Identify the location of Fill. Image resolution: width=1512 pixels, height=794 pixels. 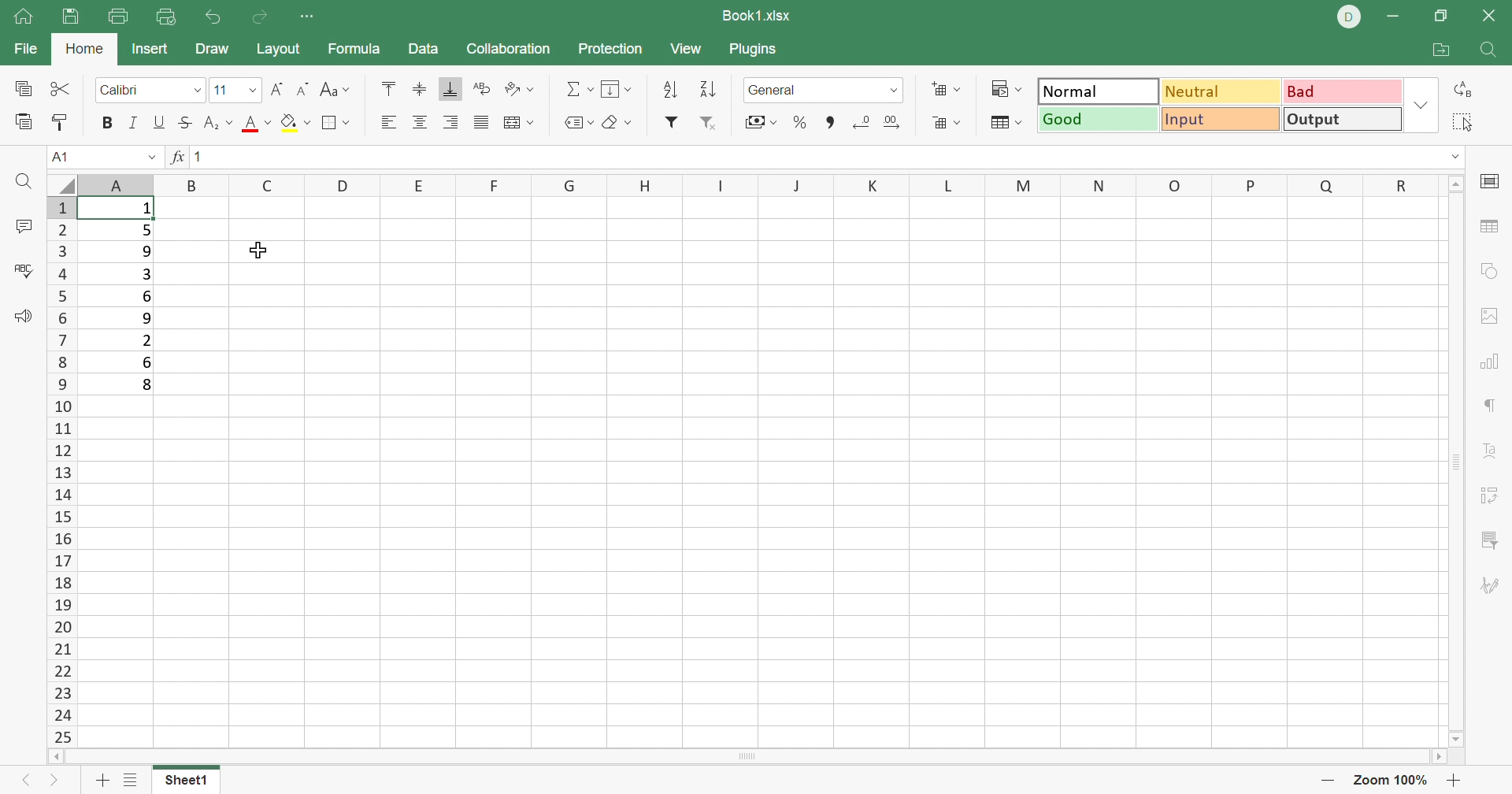
(617, 87).